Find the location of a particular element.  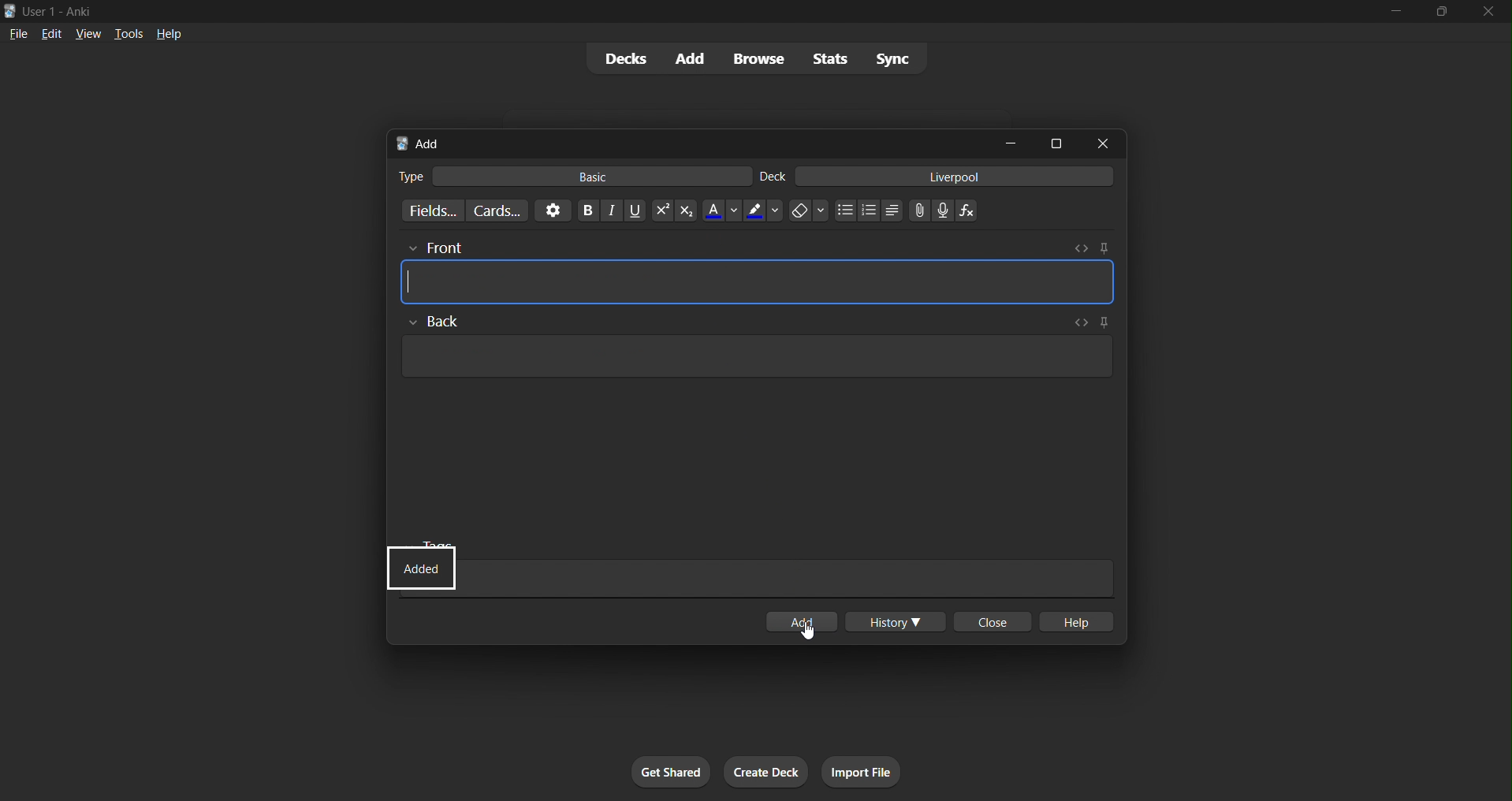

ordered list is located at coordinates (872, 210).